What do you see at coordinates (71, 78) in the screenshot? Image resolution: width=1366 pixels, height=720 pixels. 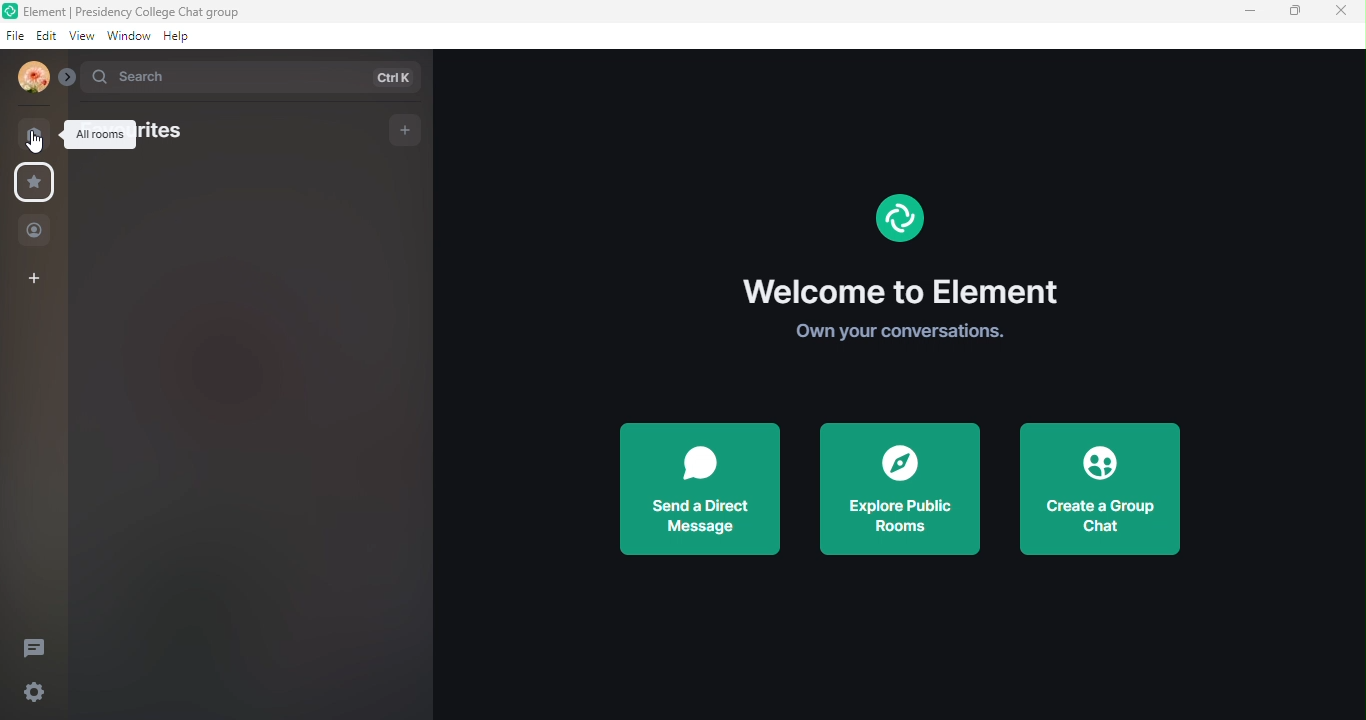 I see `expand` at bounding box center [71, 78].